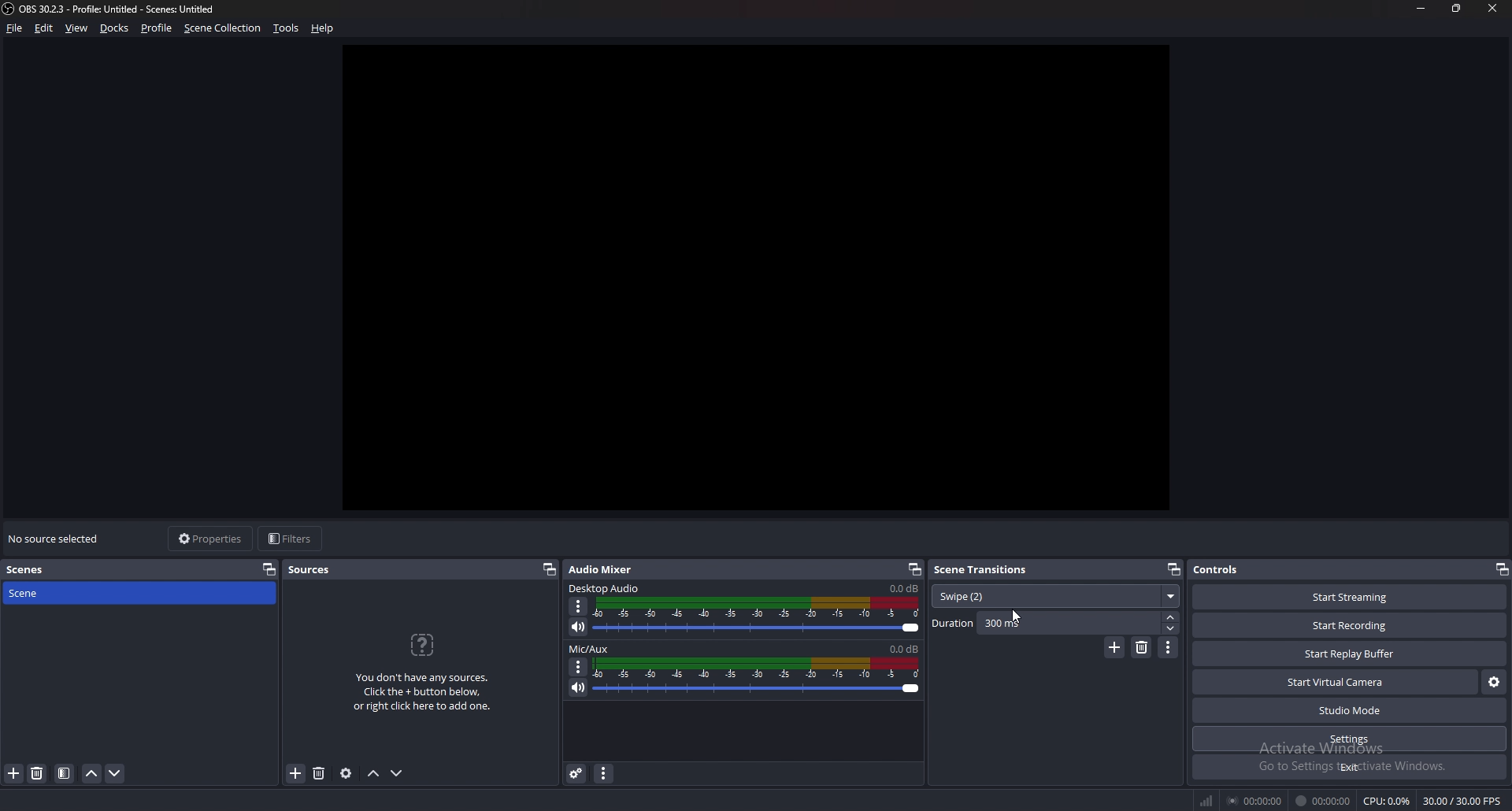  Describe the element at coordinates (44, 28) in the screenshot. I see `edit` at that location.